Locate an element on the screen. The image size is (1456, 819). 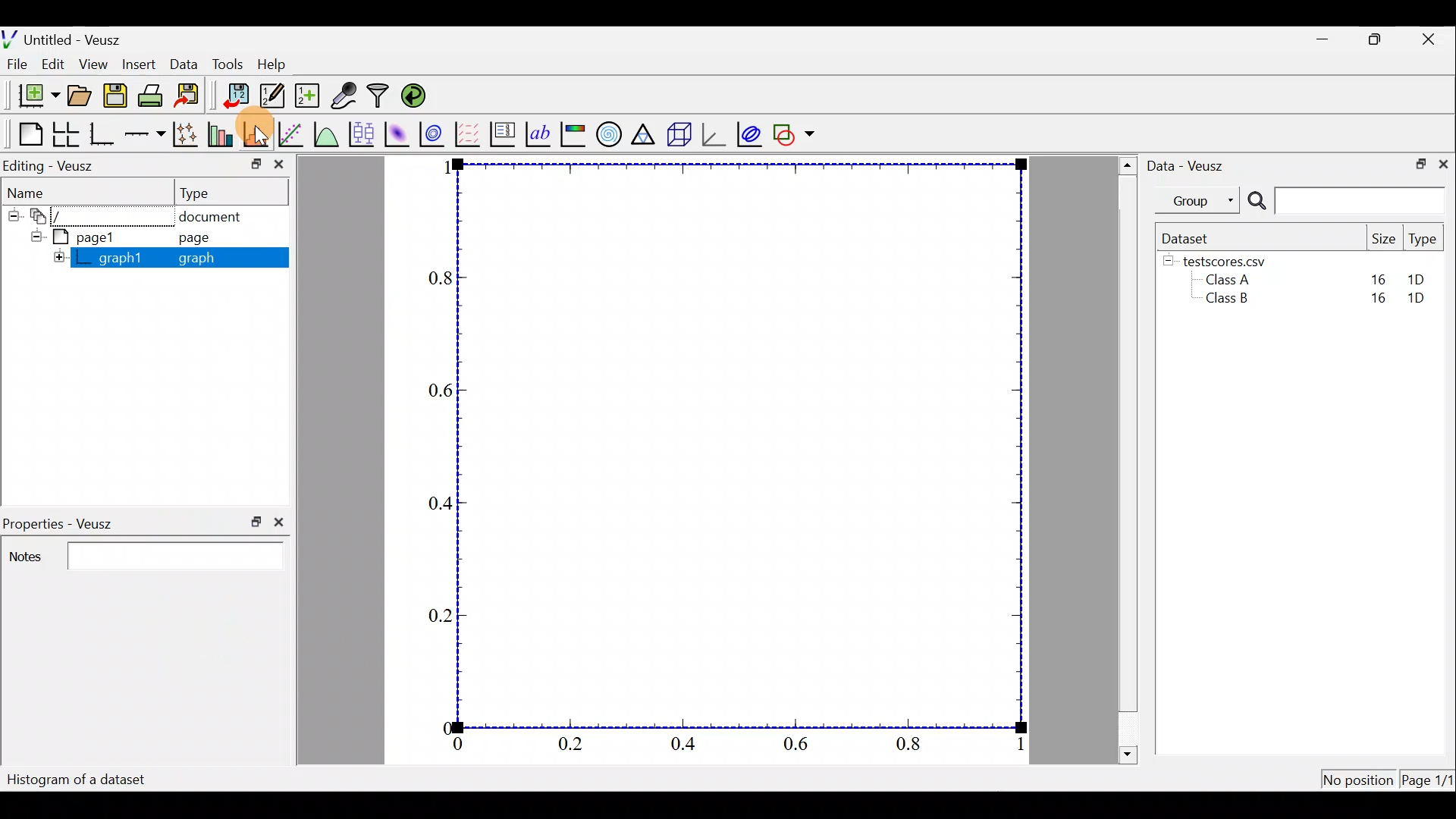
Import data into veusz is located at coordinates (235, 96).